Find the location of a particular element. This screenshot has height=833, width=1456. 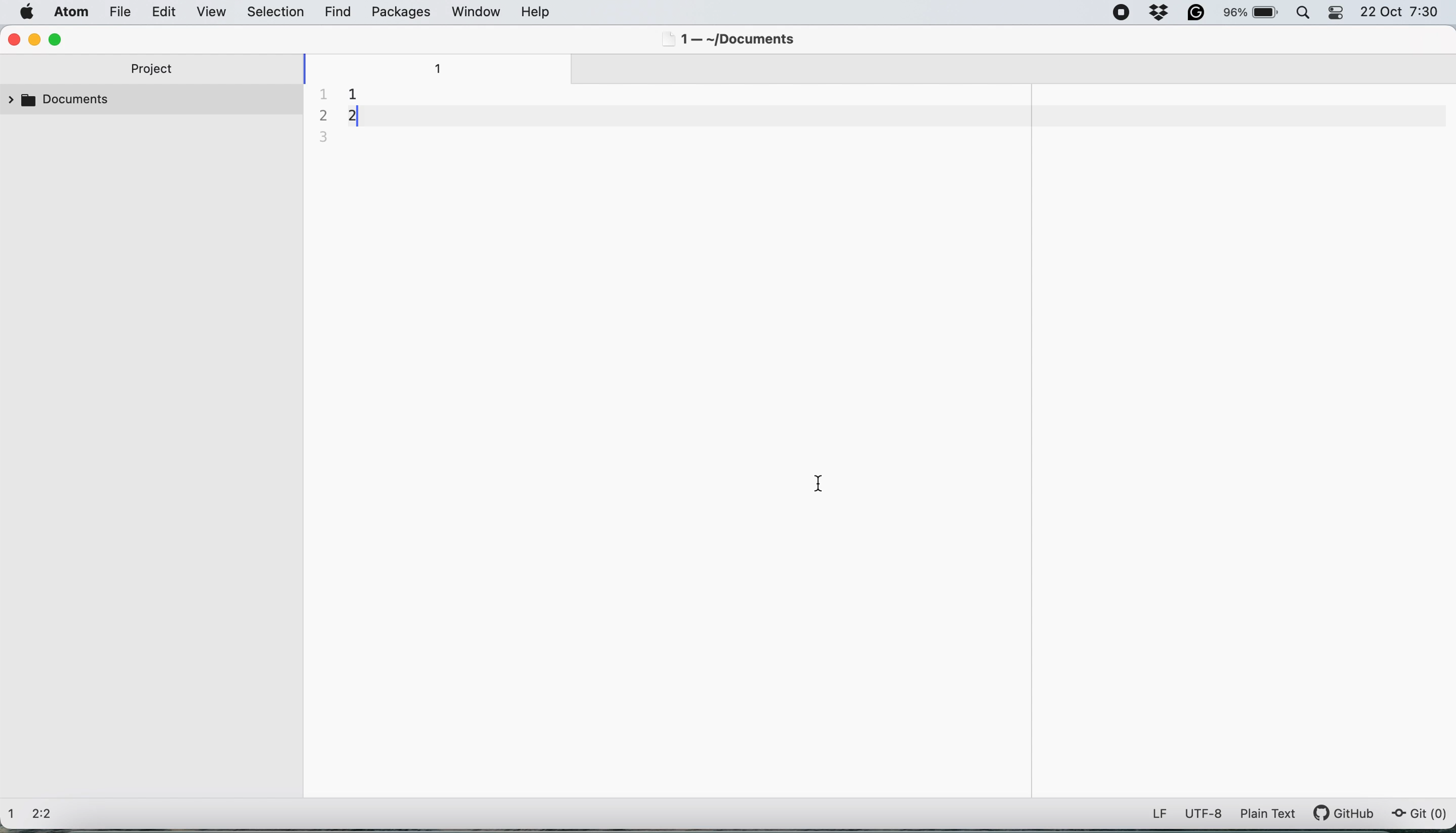

file is located at coordinates (128, 12).